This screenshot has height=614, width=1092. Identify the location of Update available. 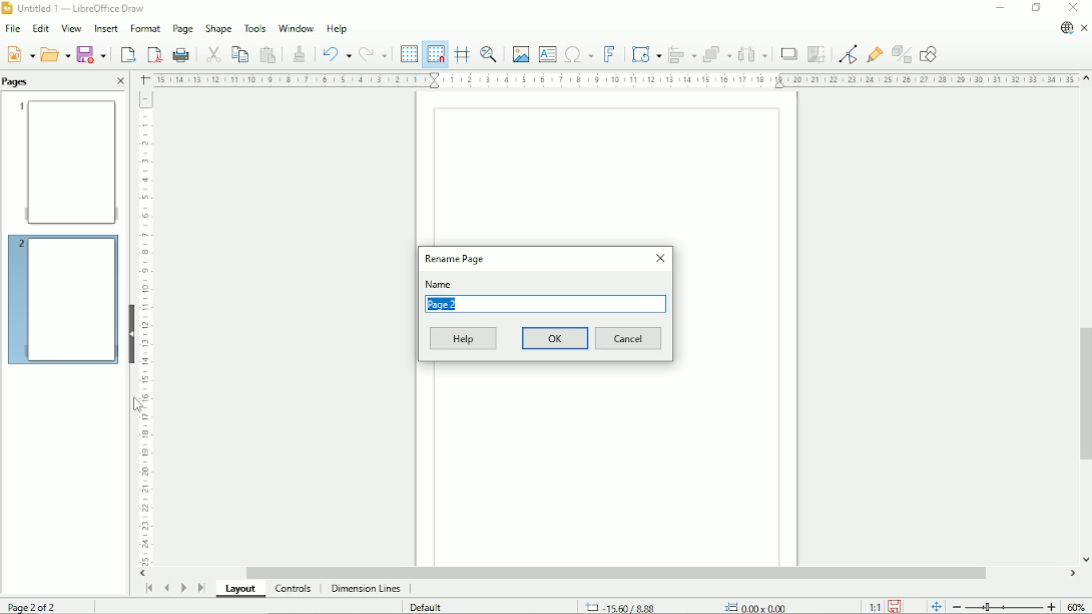
(1066, 28).